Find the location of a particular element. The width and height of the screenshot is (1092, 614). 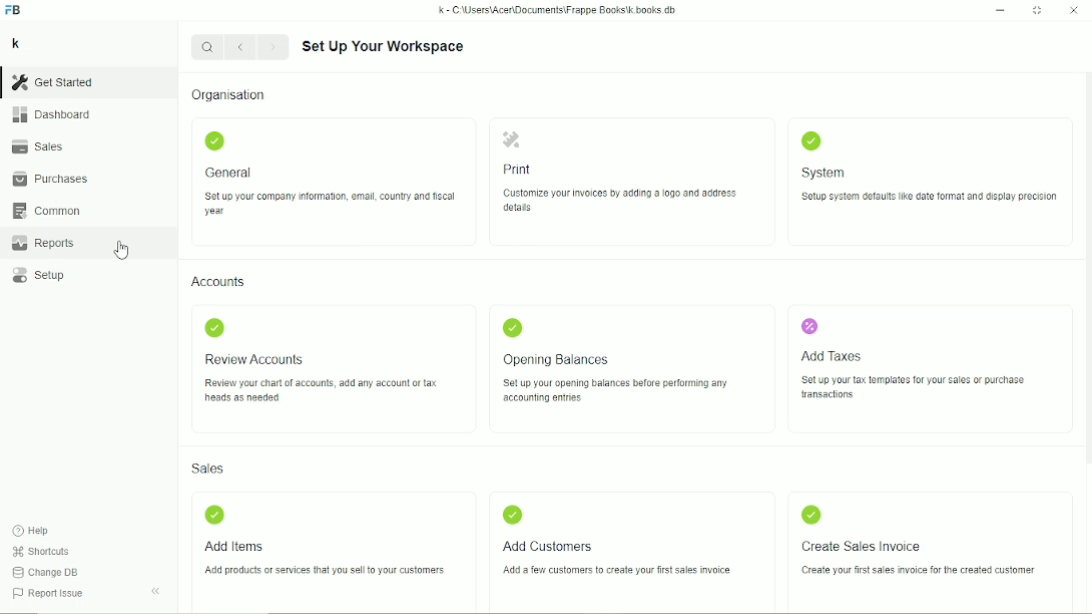

Add customers add a few customers to create your first sales invoice. is located at coordinates (617, 542).